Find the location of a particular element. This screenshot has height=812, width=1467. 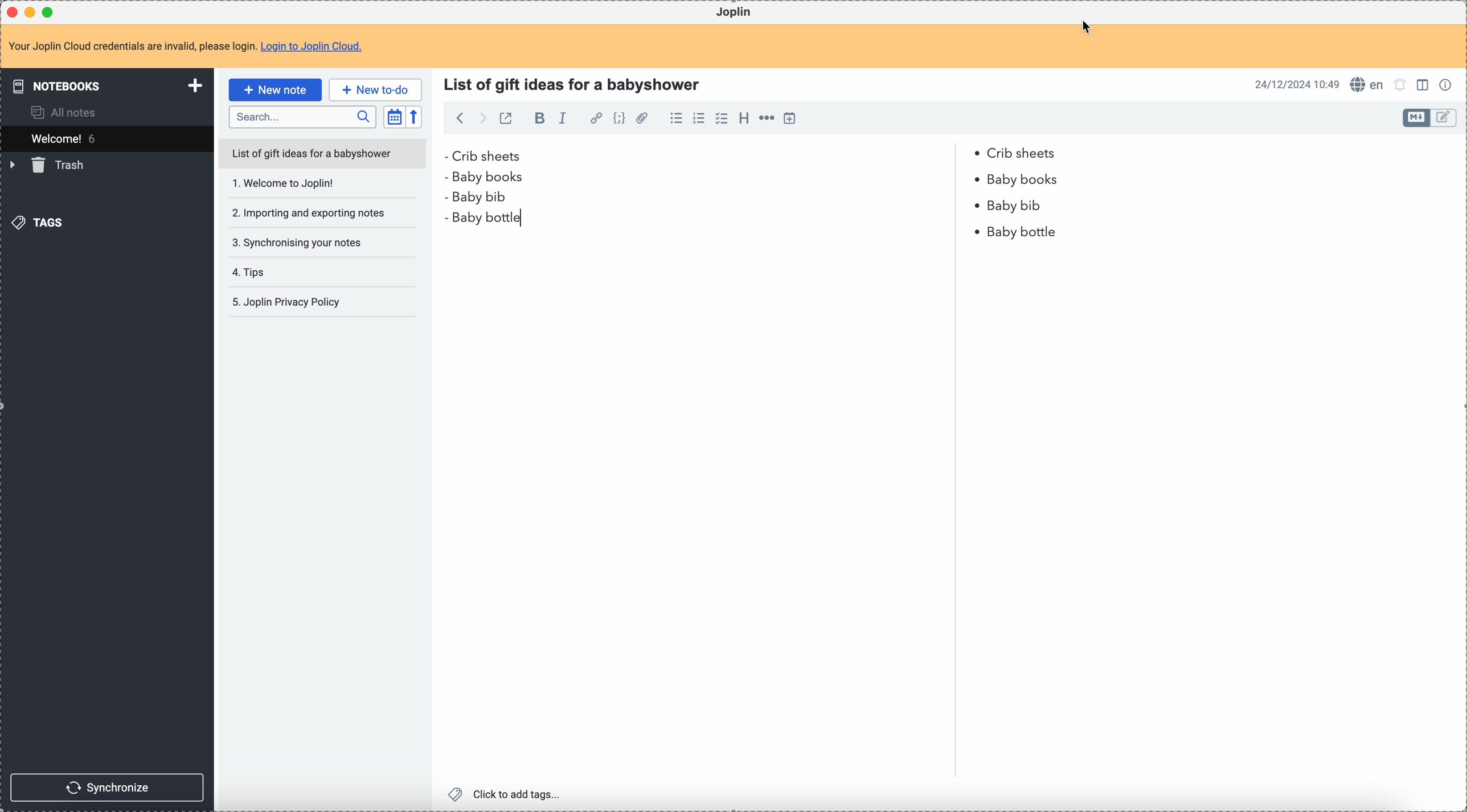

search bar is located at coordinates (302, 117).